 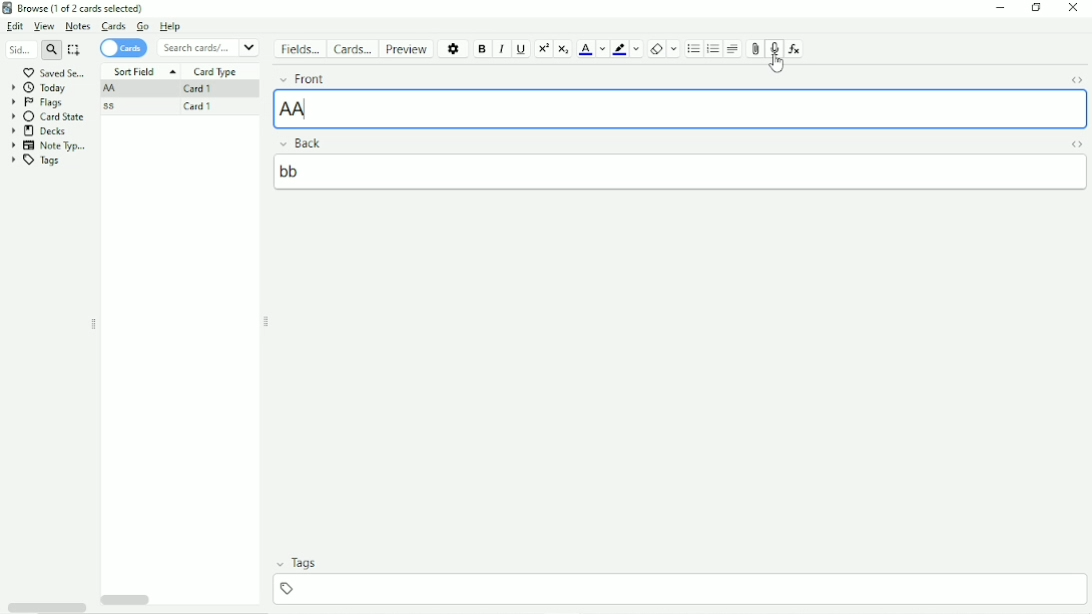 What do you see at coordinates (216, 72) in the screenshot?
I see `Card Type` at bounding box center [216, 72].